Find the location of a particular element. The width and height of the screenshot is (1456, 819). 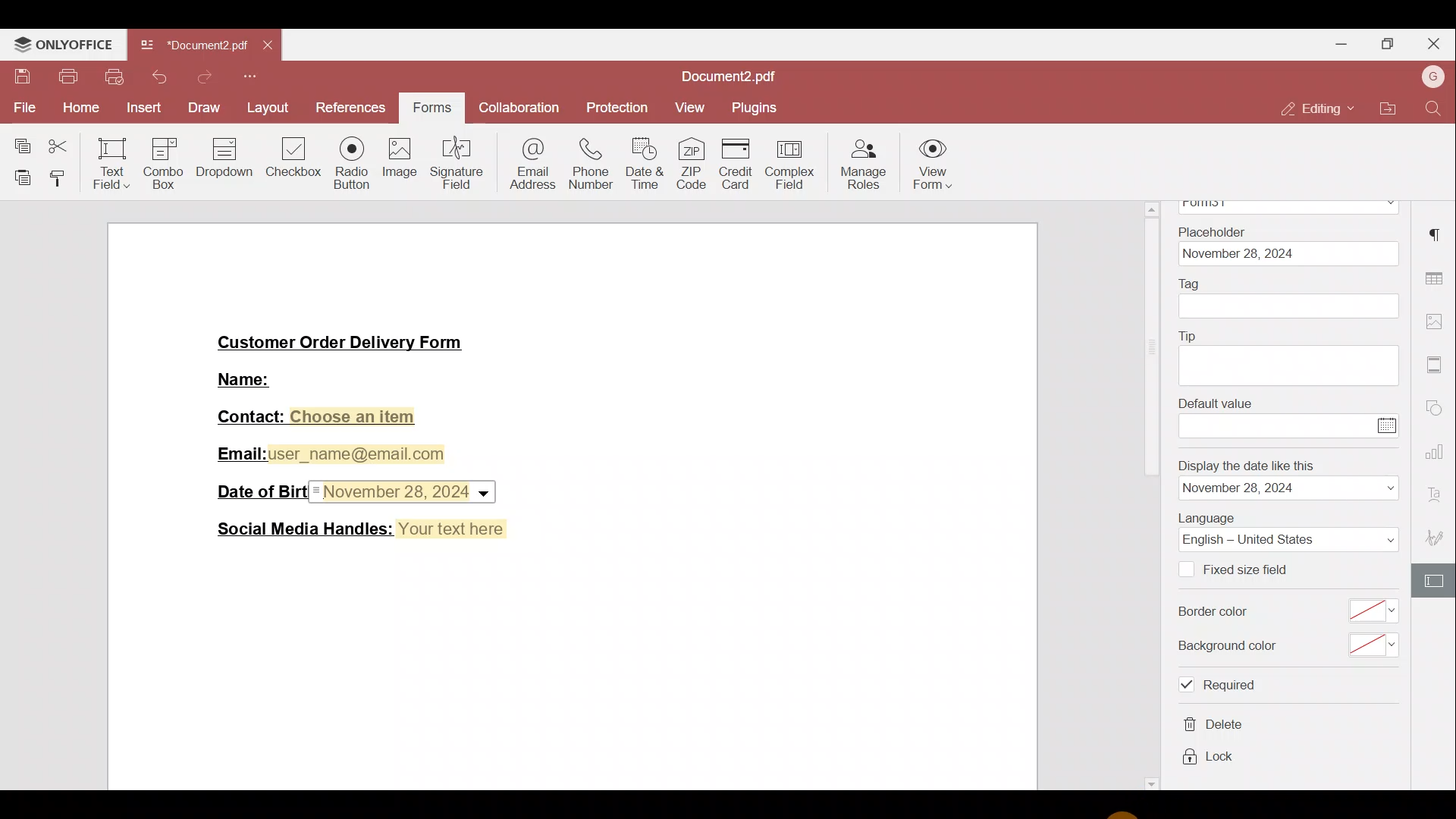

Contact: Choose an item is located at coordinates (318, 418).